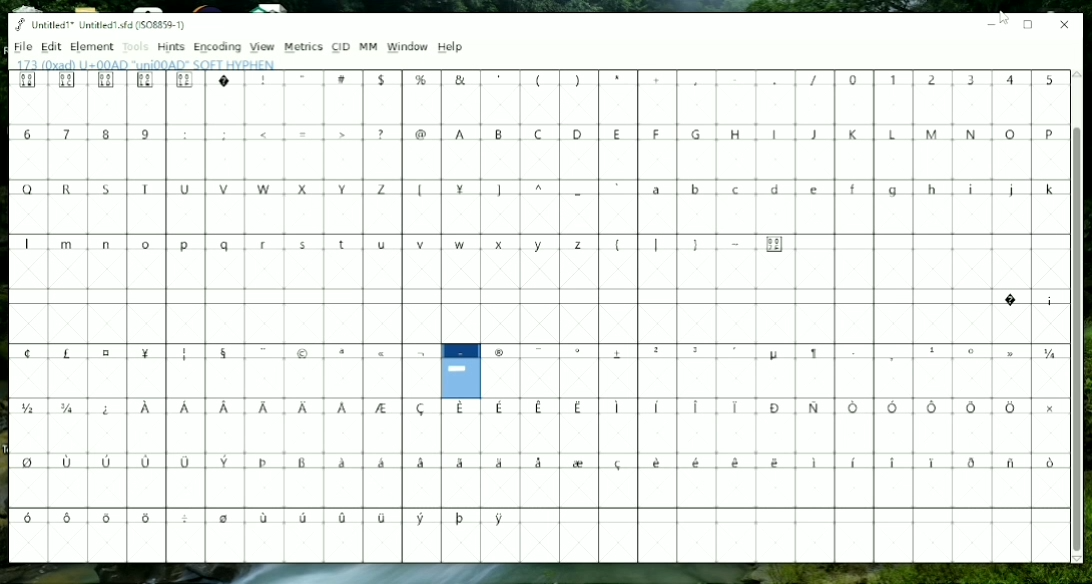  What do you see at coordinates (218, 46) in the screenshot?
I see `Encoding` at bounding box center [218, 46].